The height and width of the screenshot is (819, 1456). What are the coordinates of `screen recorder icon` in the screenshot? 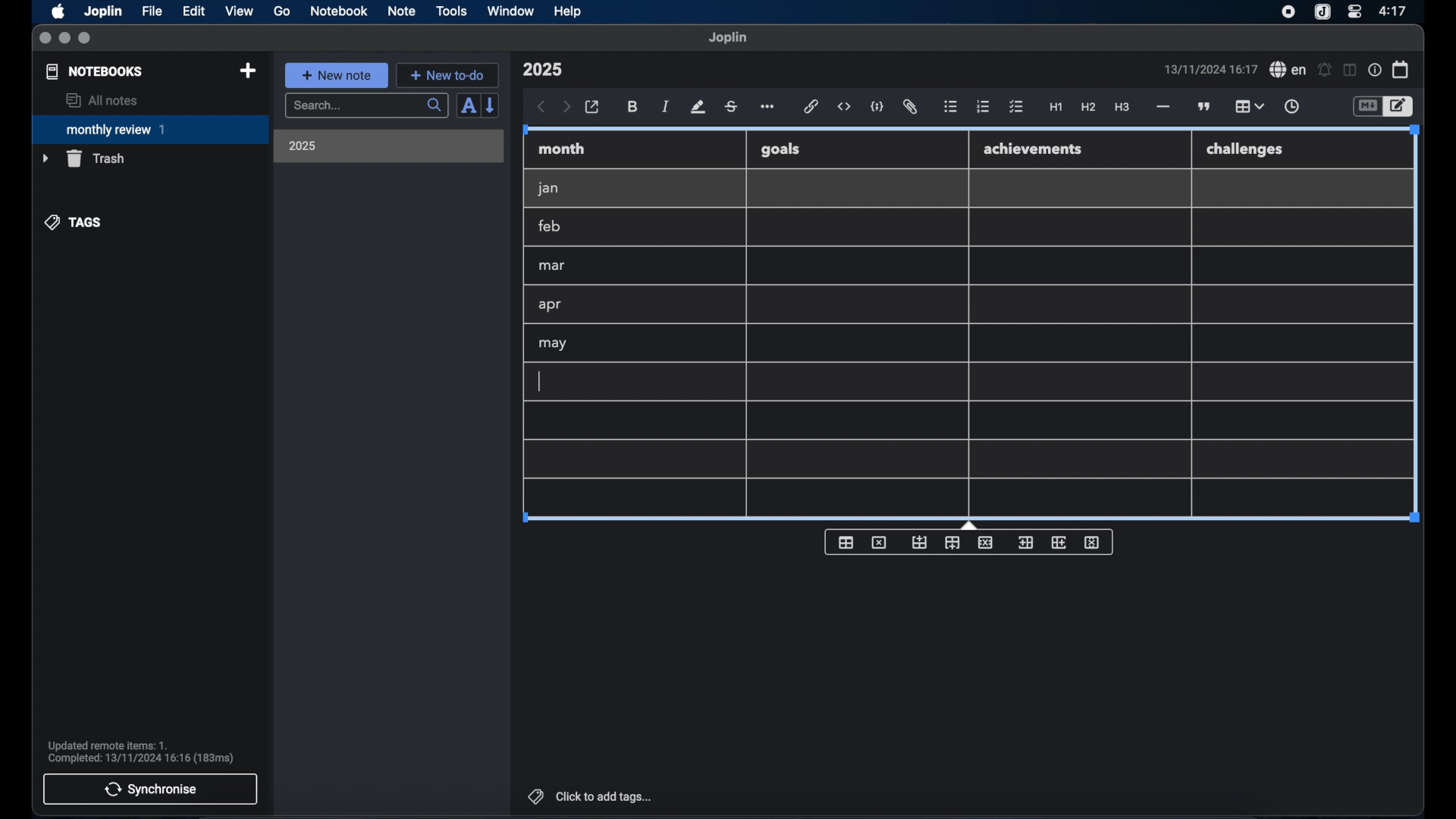 It's located at (1288, 12).